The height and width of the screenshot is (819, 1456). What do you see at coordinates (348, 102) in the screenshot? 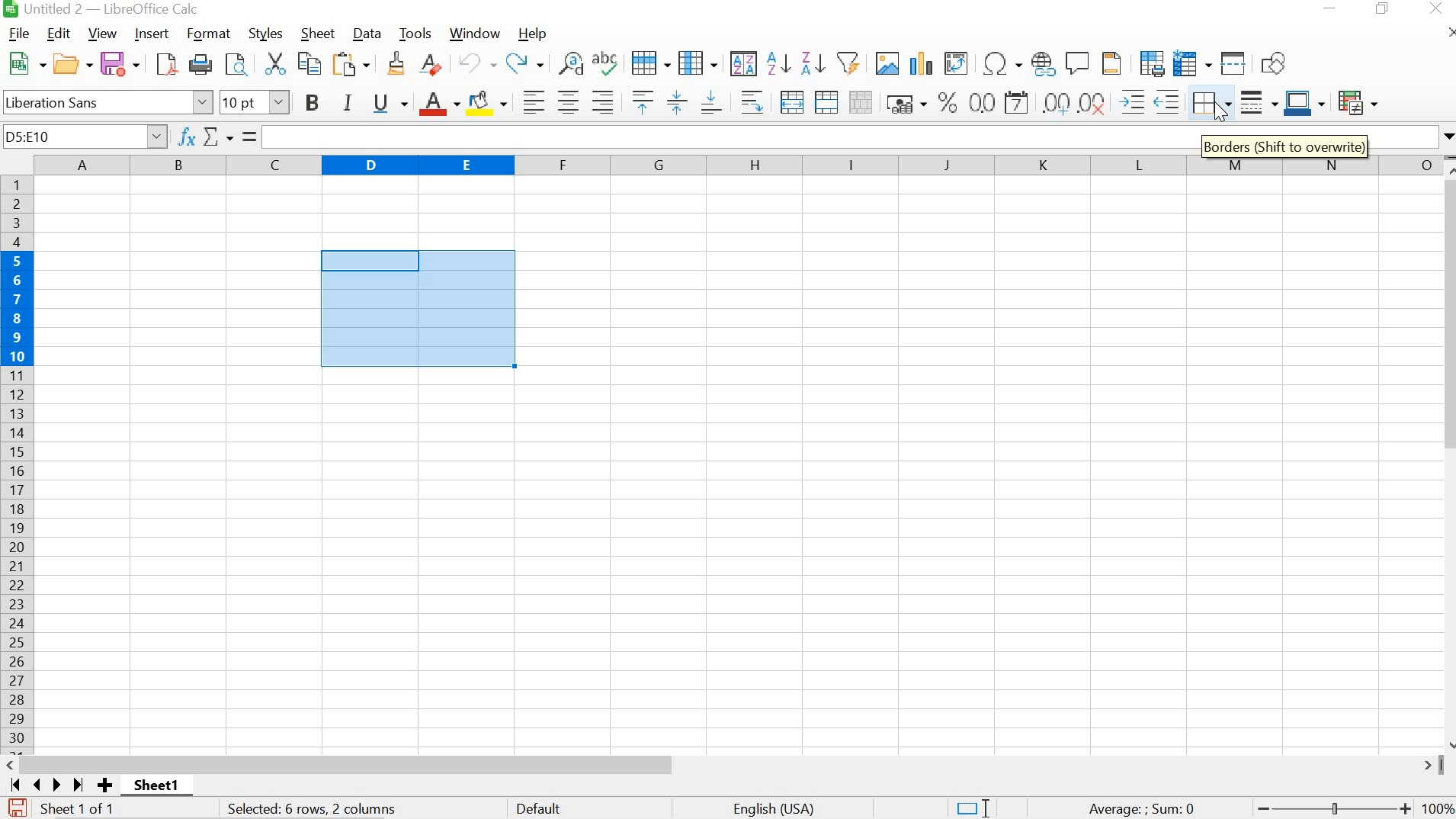
I see `ITALIC` at bounding box center [348, 102].